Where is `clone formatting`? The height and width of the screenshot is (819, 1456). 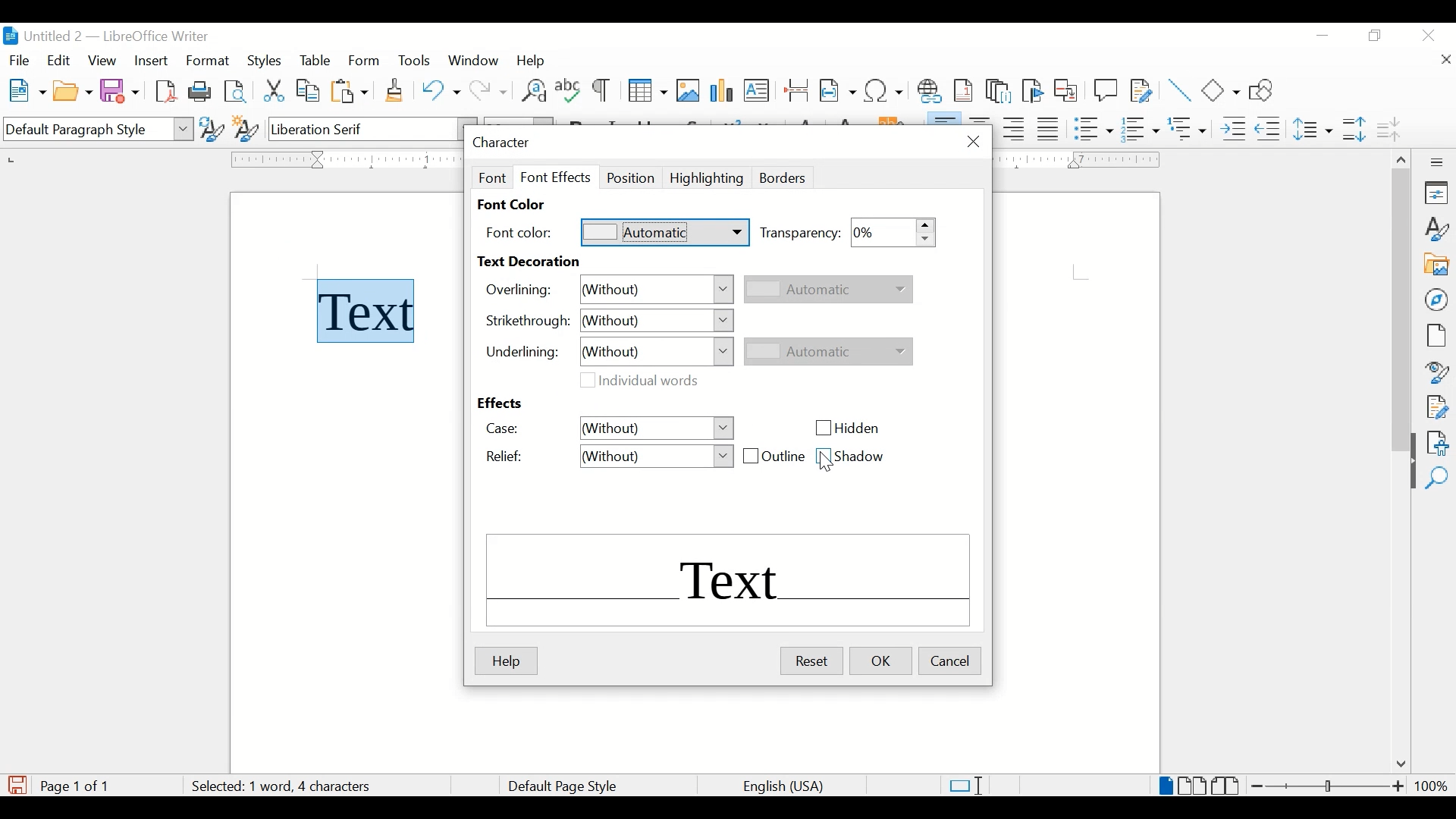
clone formatting is located at coordinates (396, 91).